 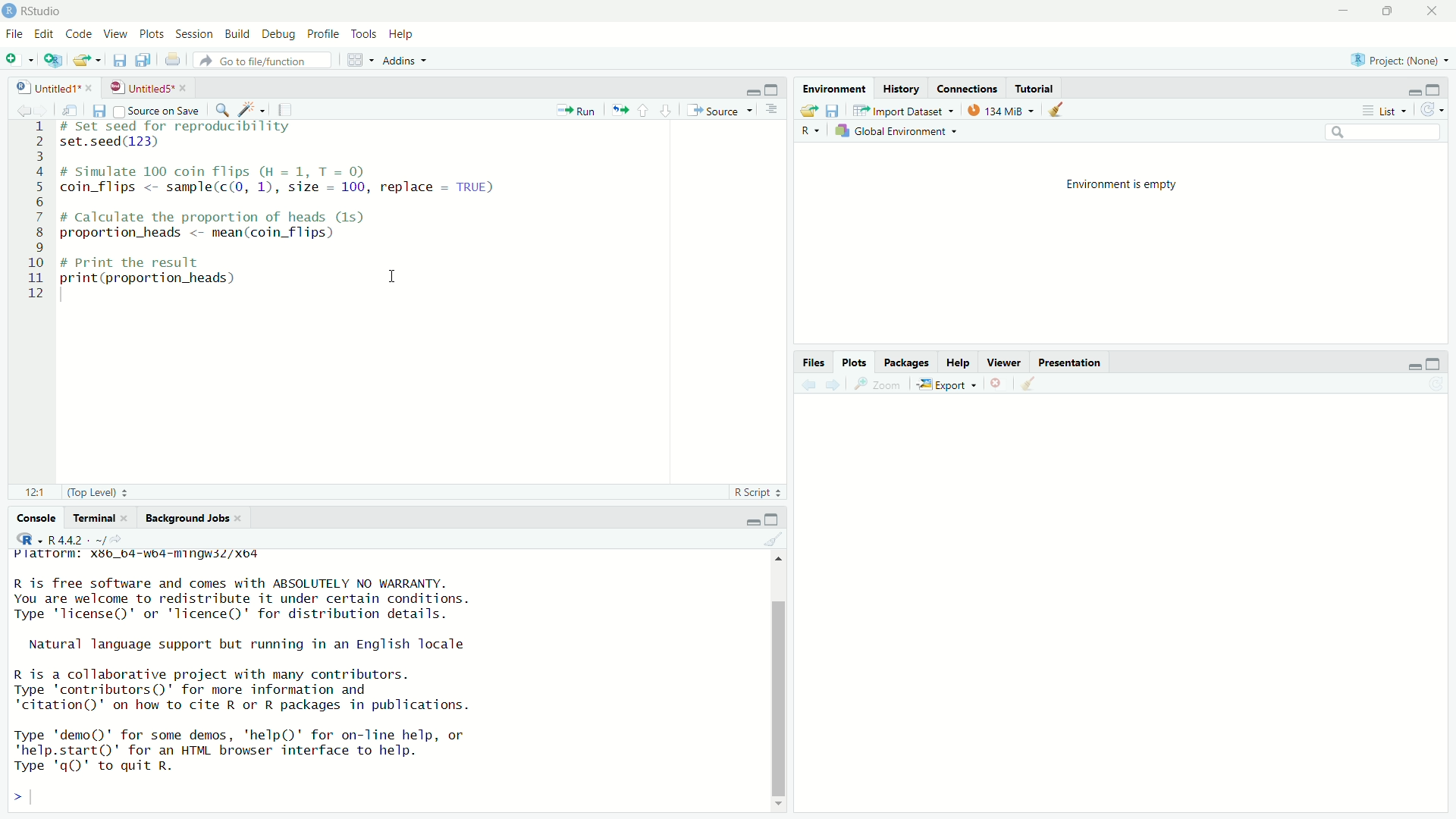 I want to click on typing cursor, so click(x=37, y=796).